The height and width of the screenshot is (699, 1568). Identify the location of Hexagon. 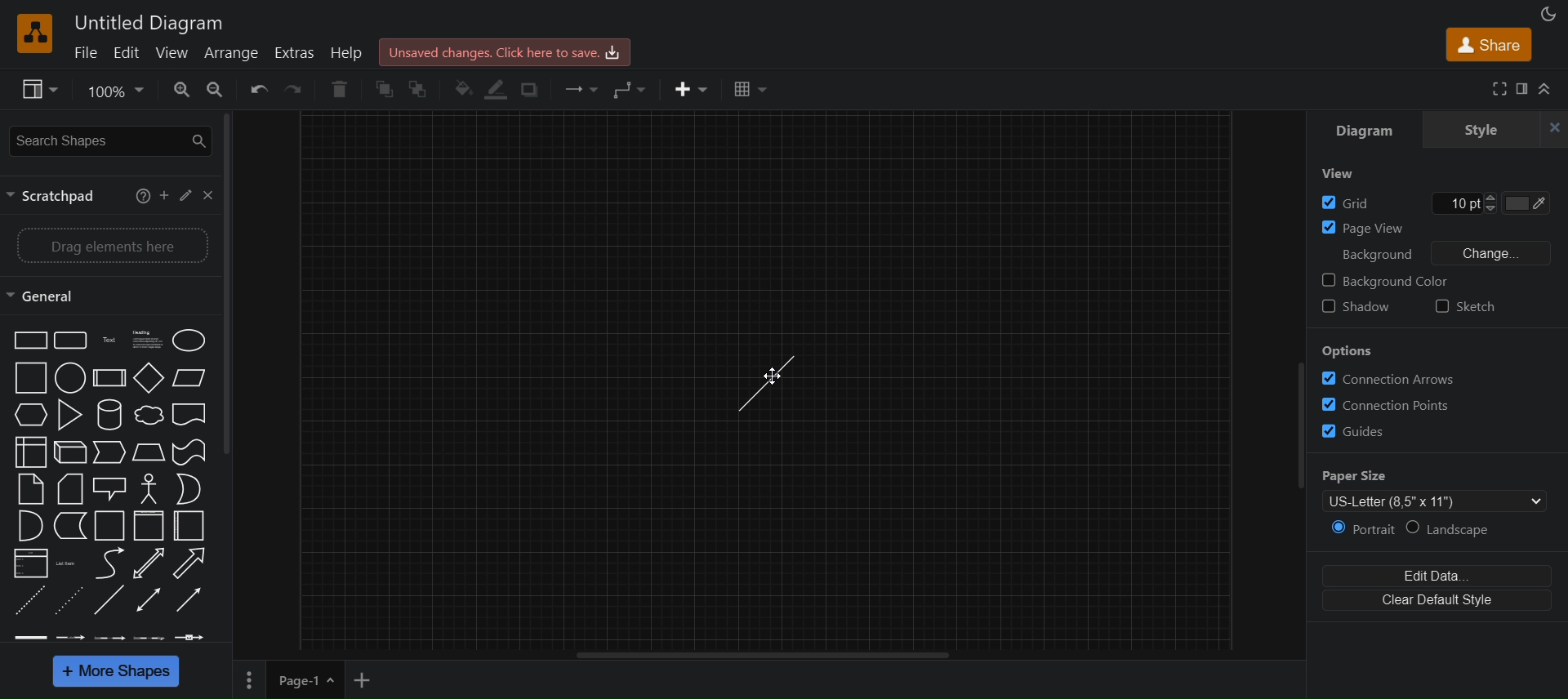
(29, 416).